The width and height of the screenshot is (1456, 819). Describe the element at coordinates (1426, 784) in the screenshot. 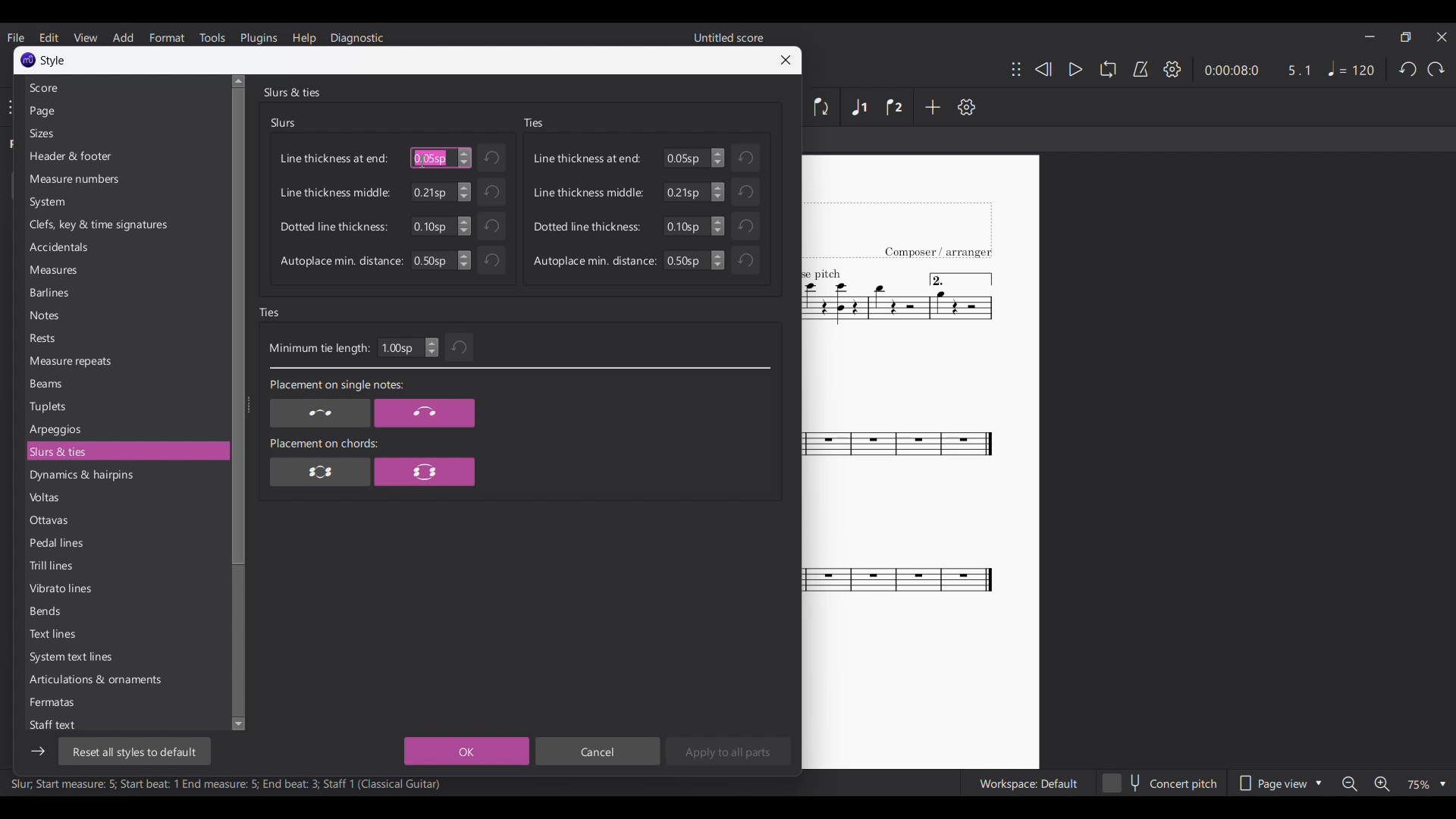

I see `Zoom options` at that location.